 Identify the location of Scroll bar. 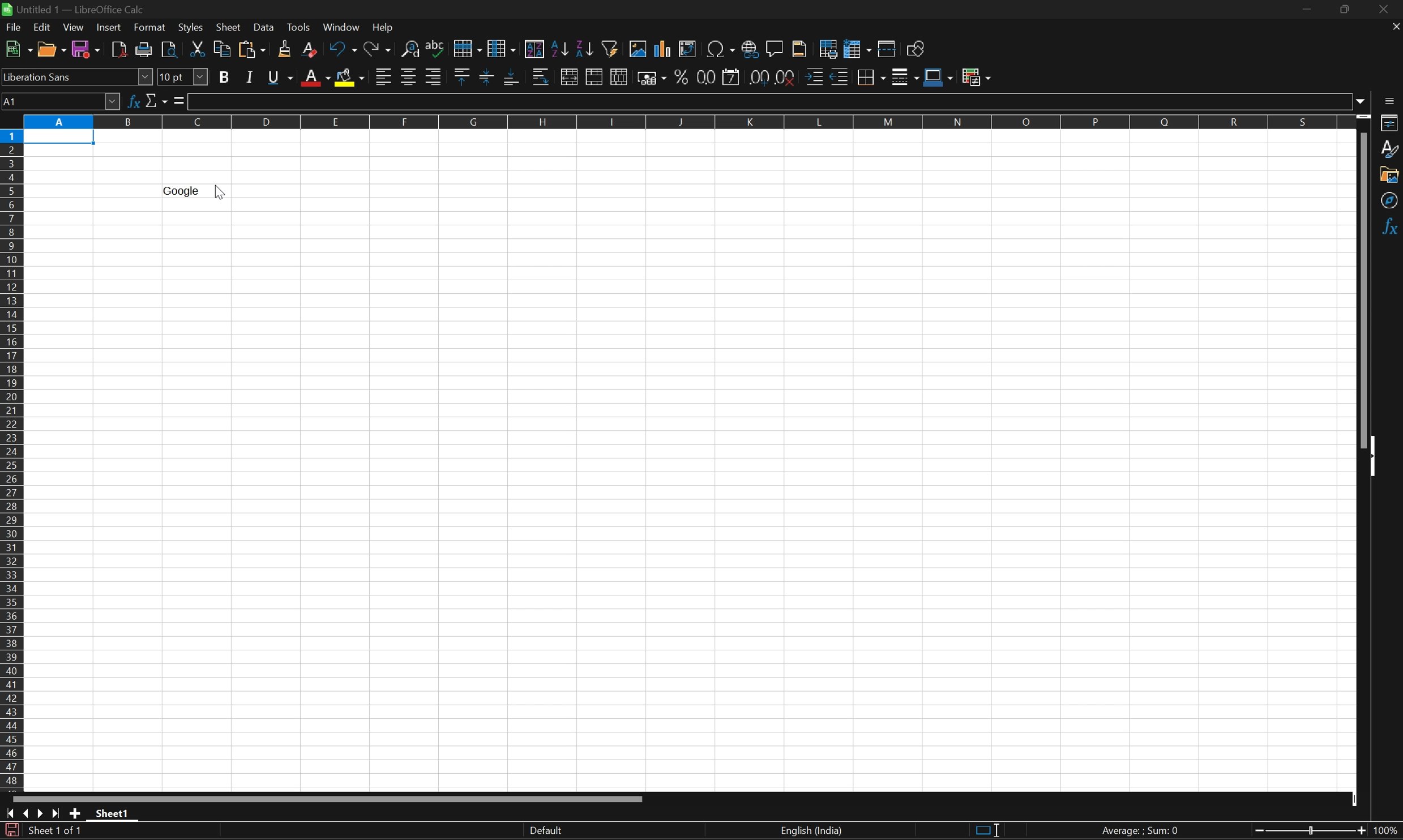
(1363, 288).